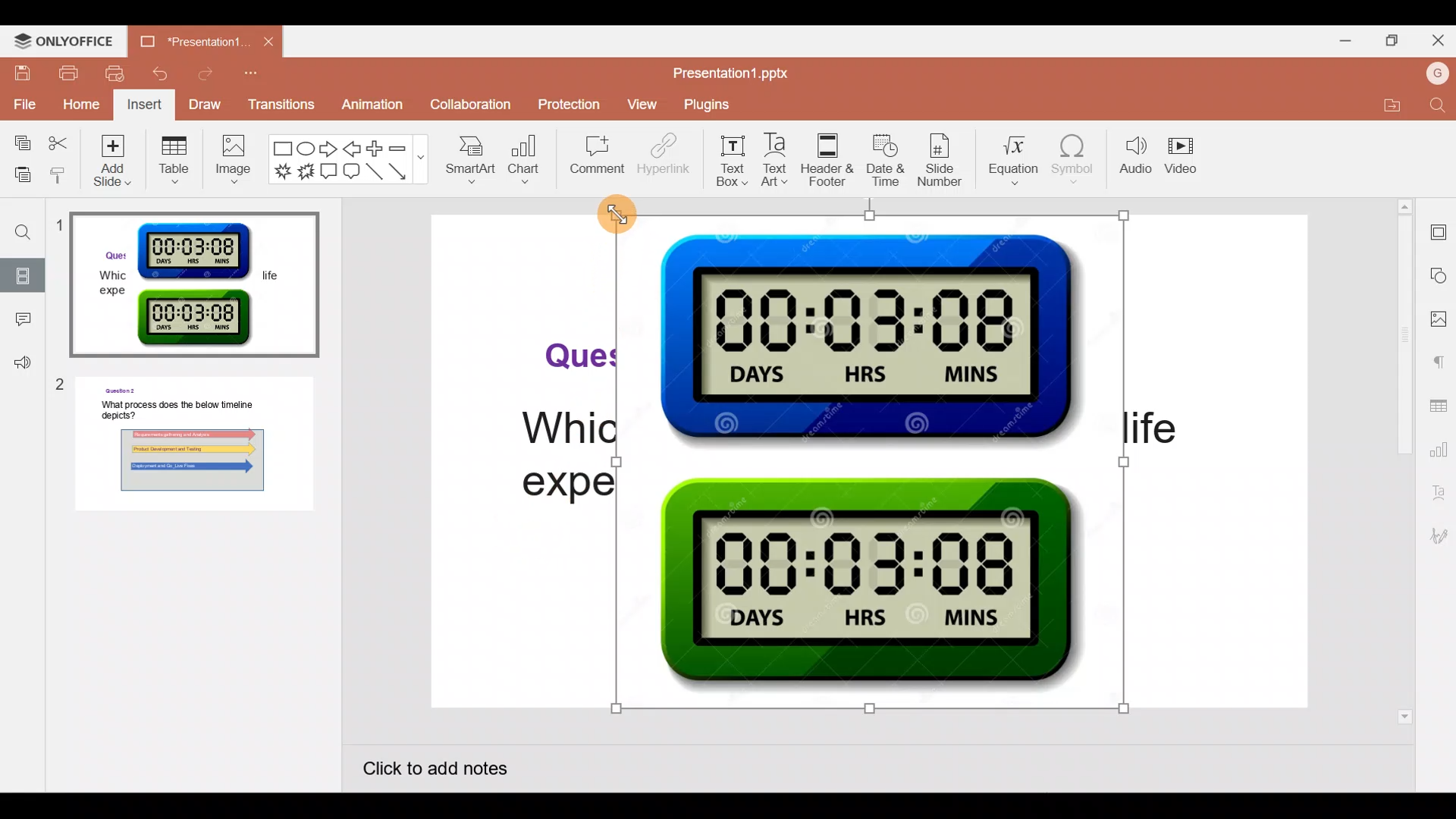 The height and width of the screenshot is (819, 1456). What do you see at coordinates (730, 158) in the screenshot?
I see `Text box` at bounding box center [730, 158].